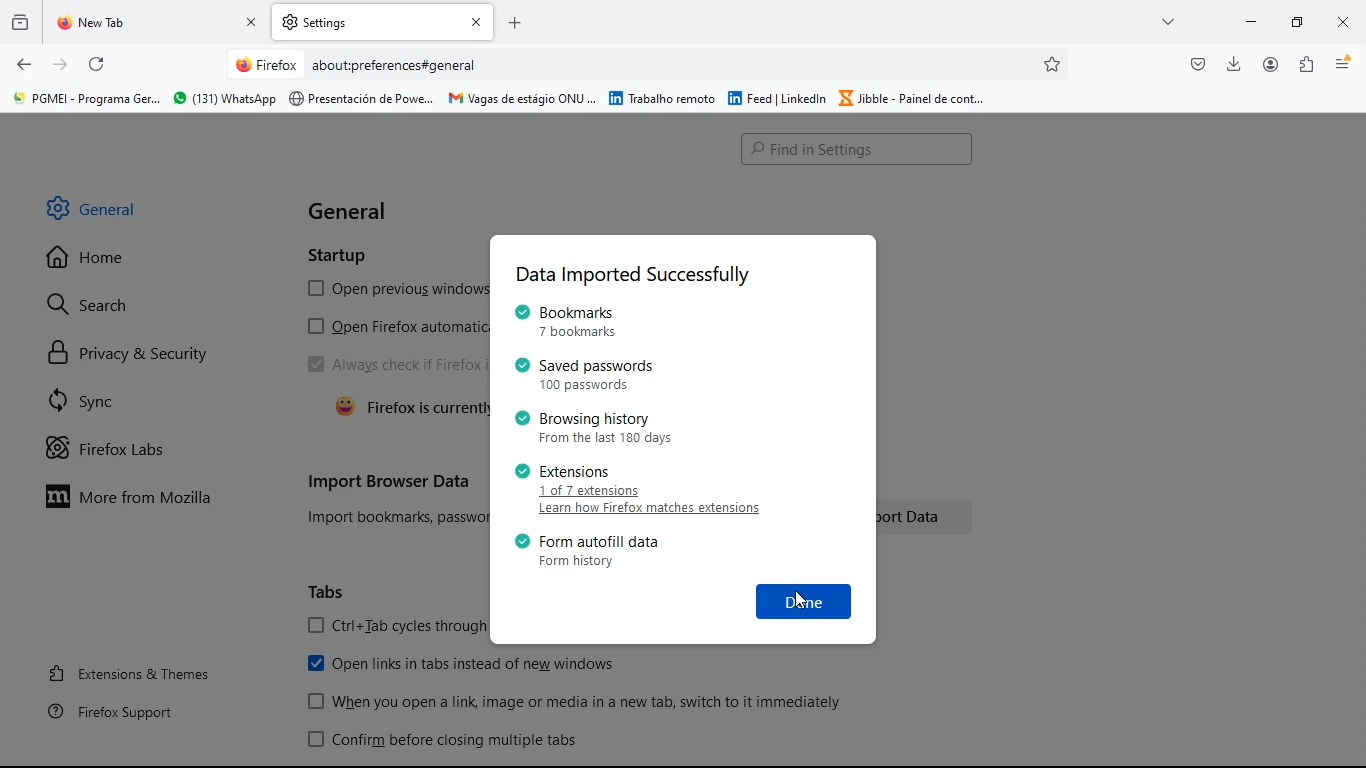 The width and height of the screenshot is (1366, 768). I want to click on back, so click(24, 65).